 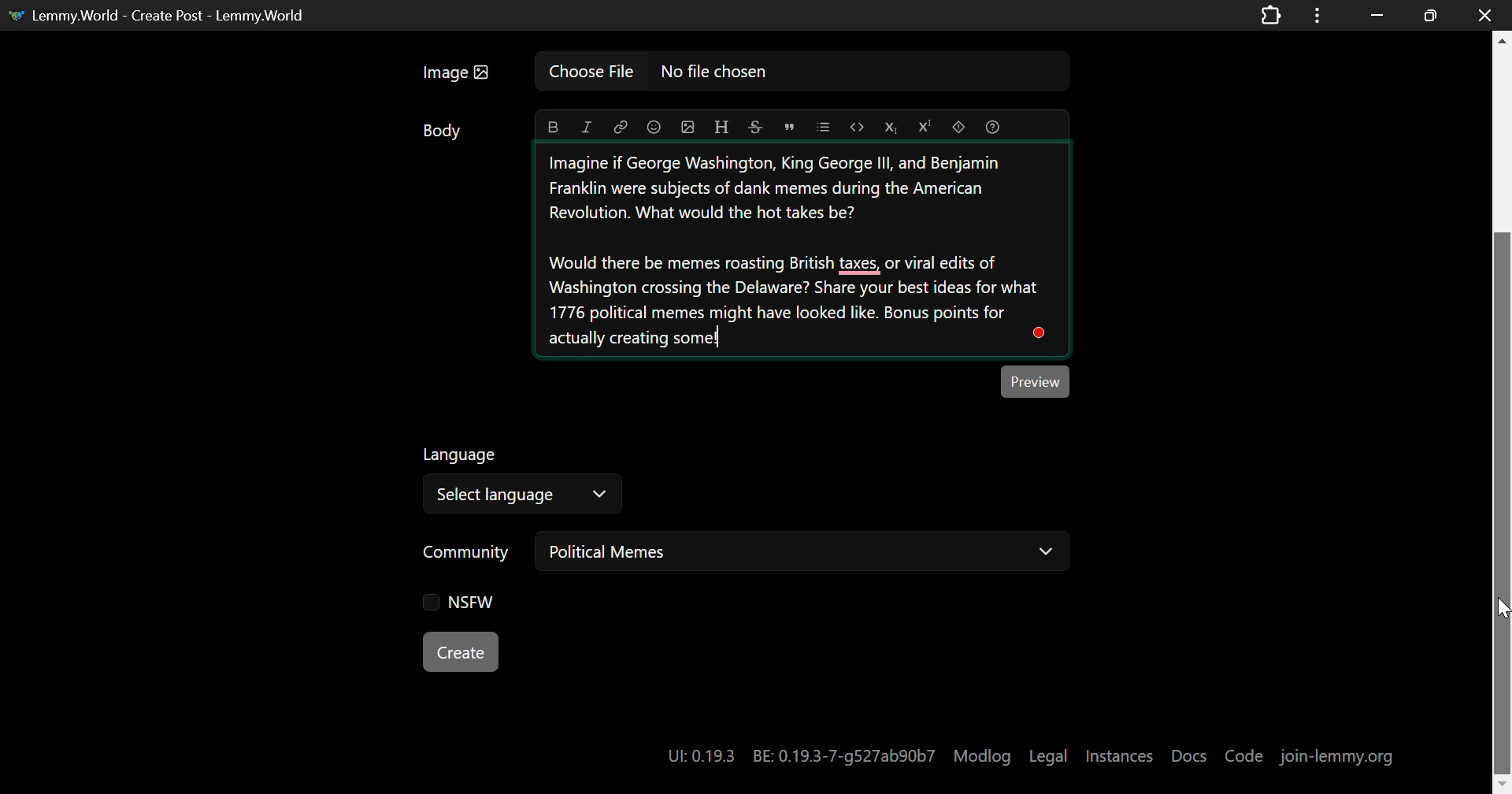 What do you see at coordinates (1428, 16) in the screenshot?
I see `Minimize Window` at bounding box center [1428, 16].